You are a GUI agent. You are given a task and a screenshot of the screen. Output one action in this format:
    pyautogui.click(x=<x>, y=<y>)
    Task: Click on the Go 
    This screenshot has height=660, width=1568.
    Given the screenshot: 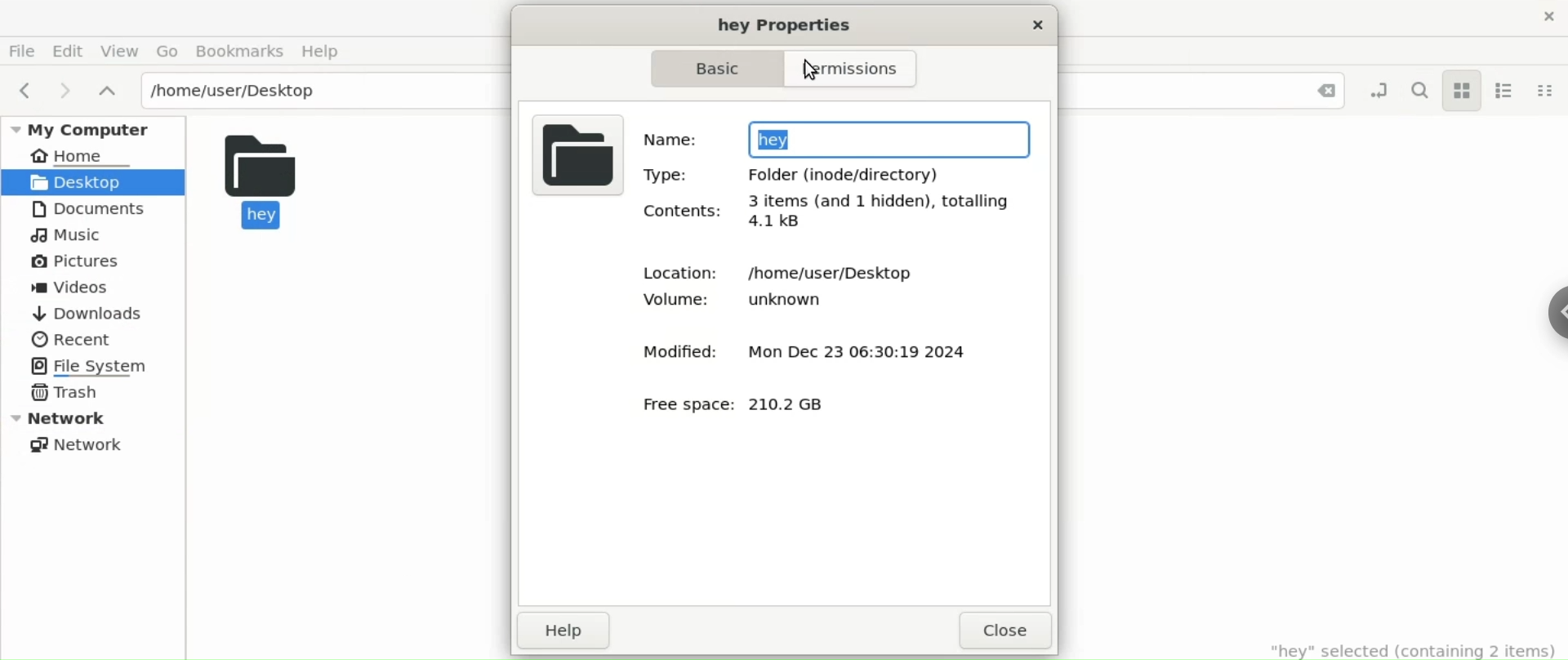 What is the action you would take?
    pyautogui.click(x=169, y=51)
    